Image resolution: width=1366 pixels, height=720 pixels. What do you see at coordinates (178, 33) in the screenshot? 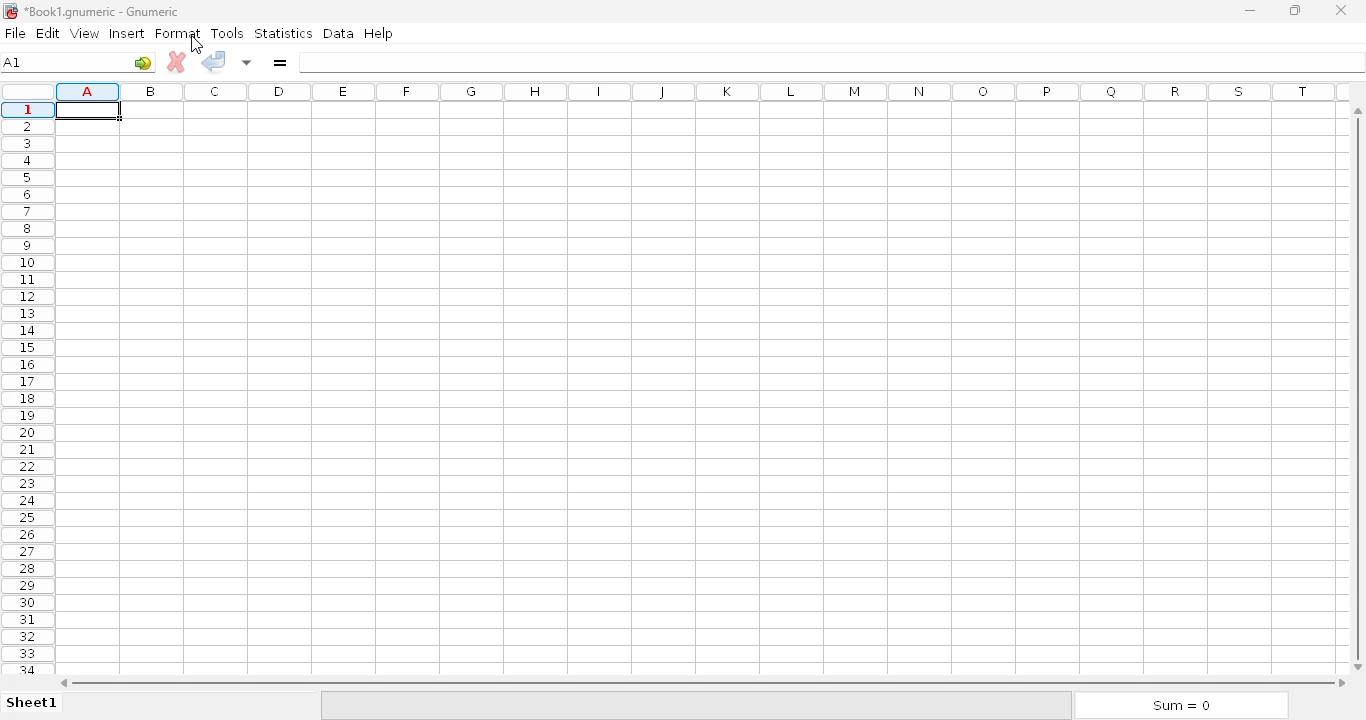
I see `format` at bounding box center [178, 33].